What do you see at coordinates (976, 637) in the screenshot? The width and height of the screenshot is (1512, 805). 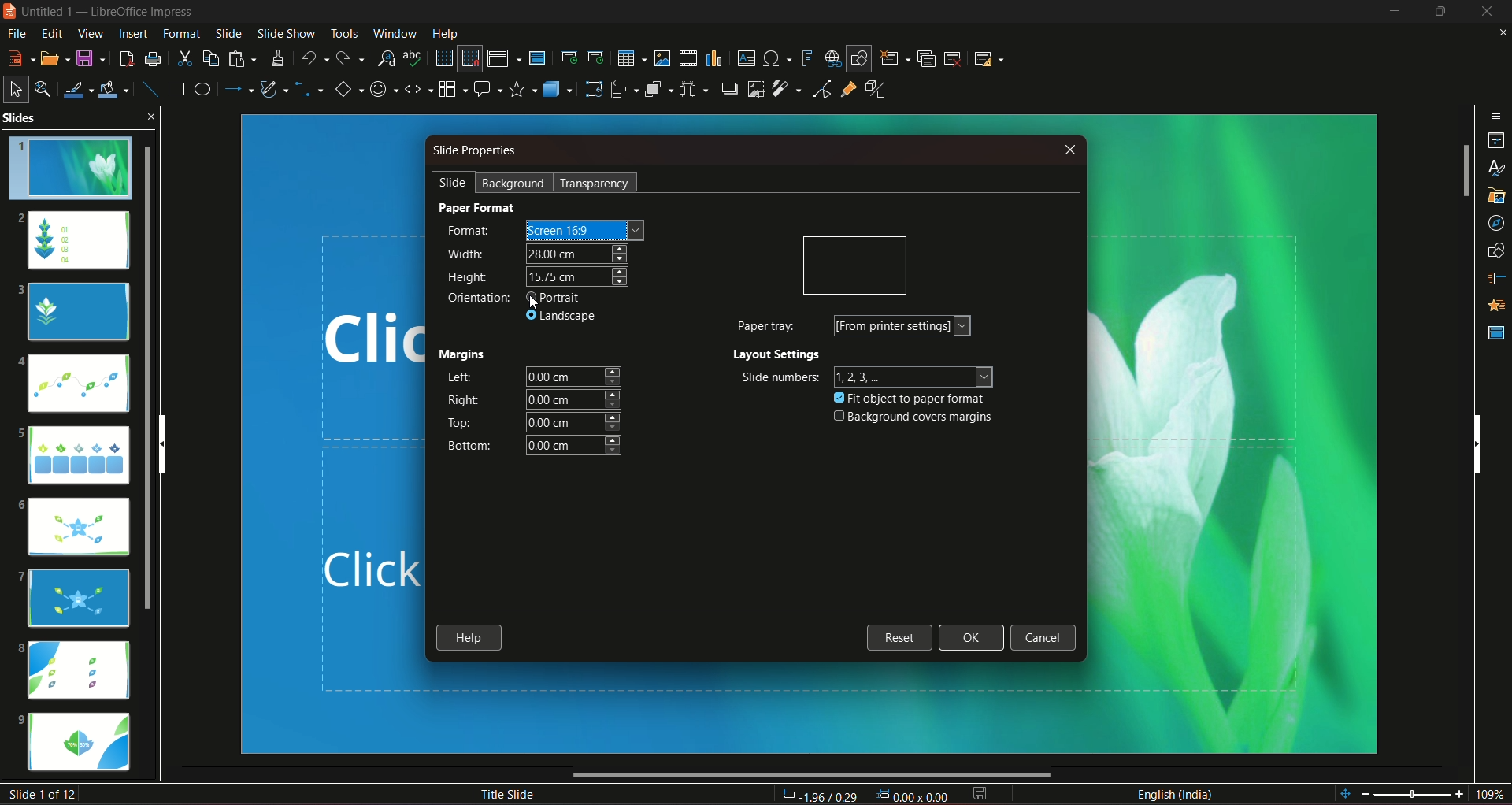 I see `ok` at bounding box center [976, 637].